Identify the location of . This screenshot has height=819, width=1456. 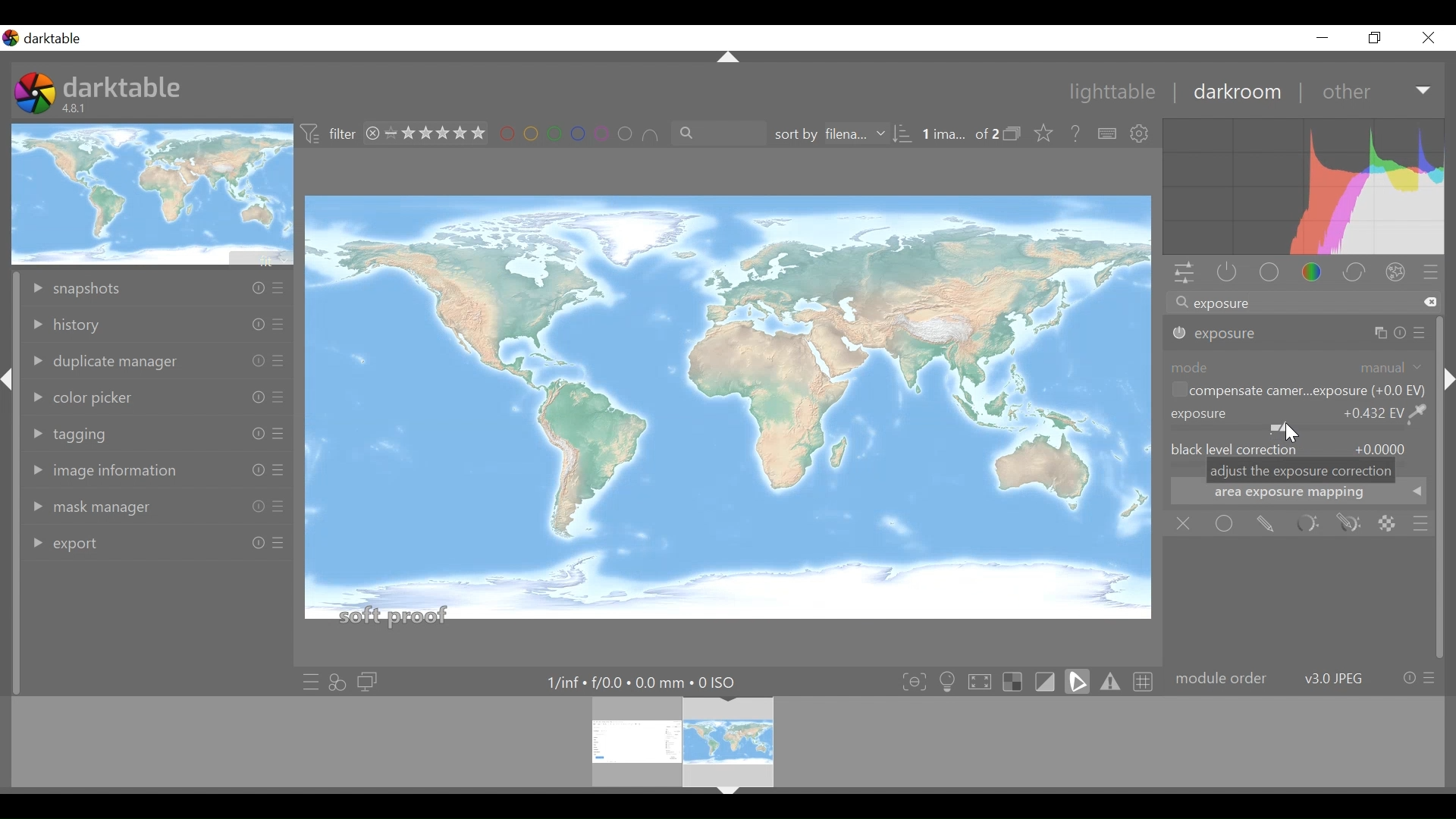
(278, 399).